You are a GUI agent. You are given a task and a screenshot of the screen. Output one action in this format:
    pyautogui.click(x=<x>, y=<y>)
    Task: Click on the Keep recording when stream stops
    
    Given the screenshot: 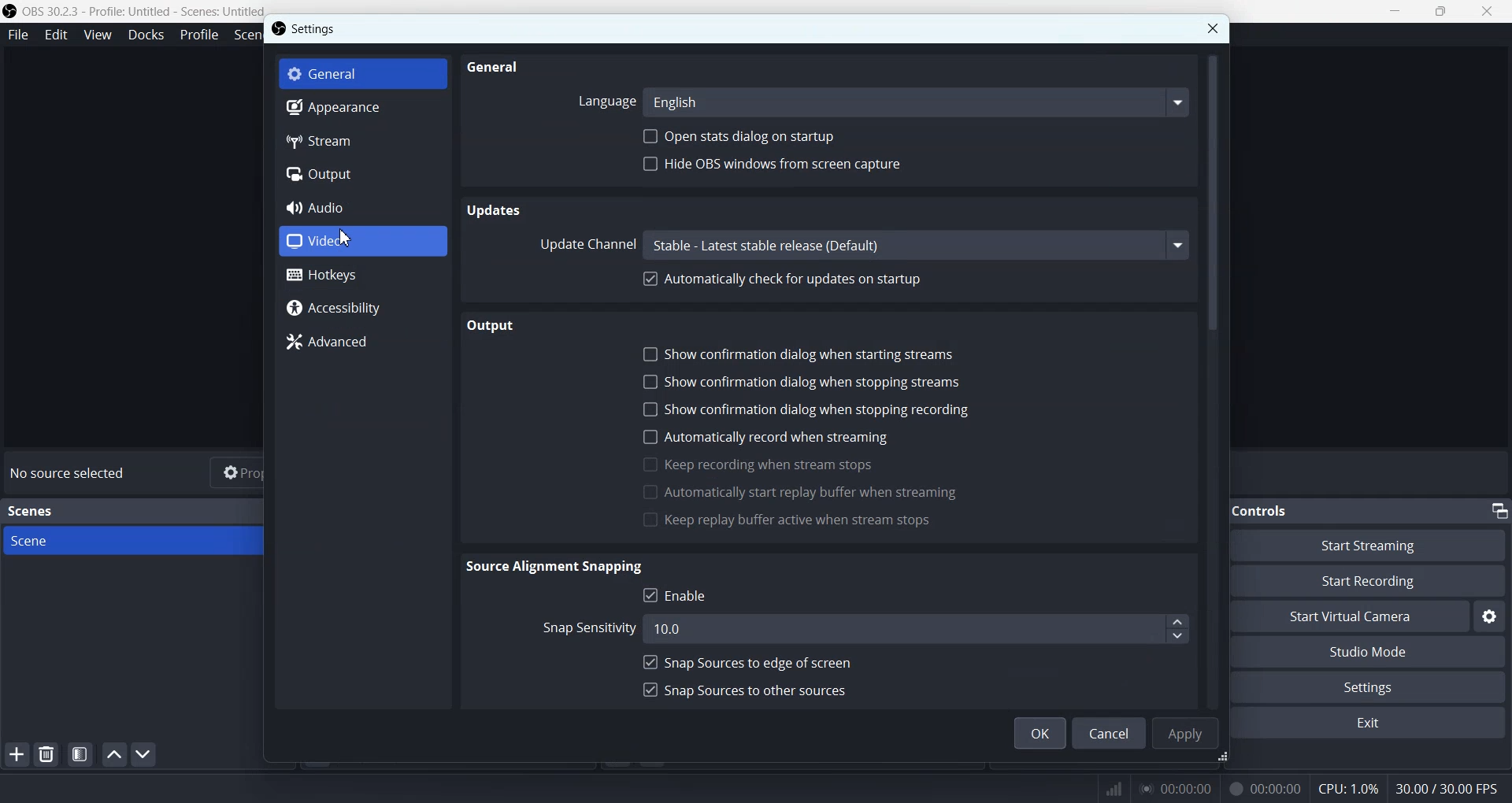 What is the action you would take?
    pyautogui.click(x=776, y=465)
    